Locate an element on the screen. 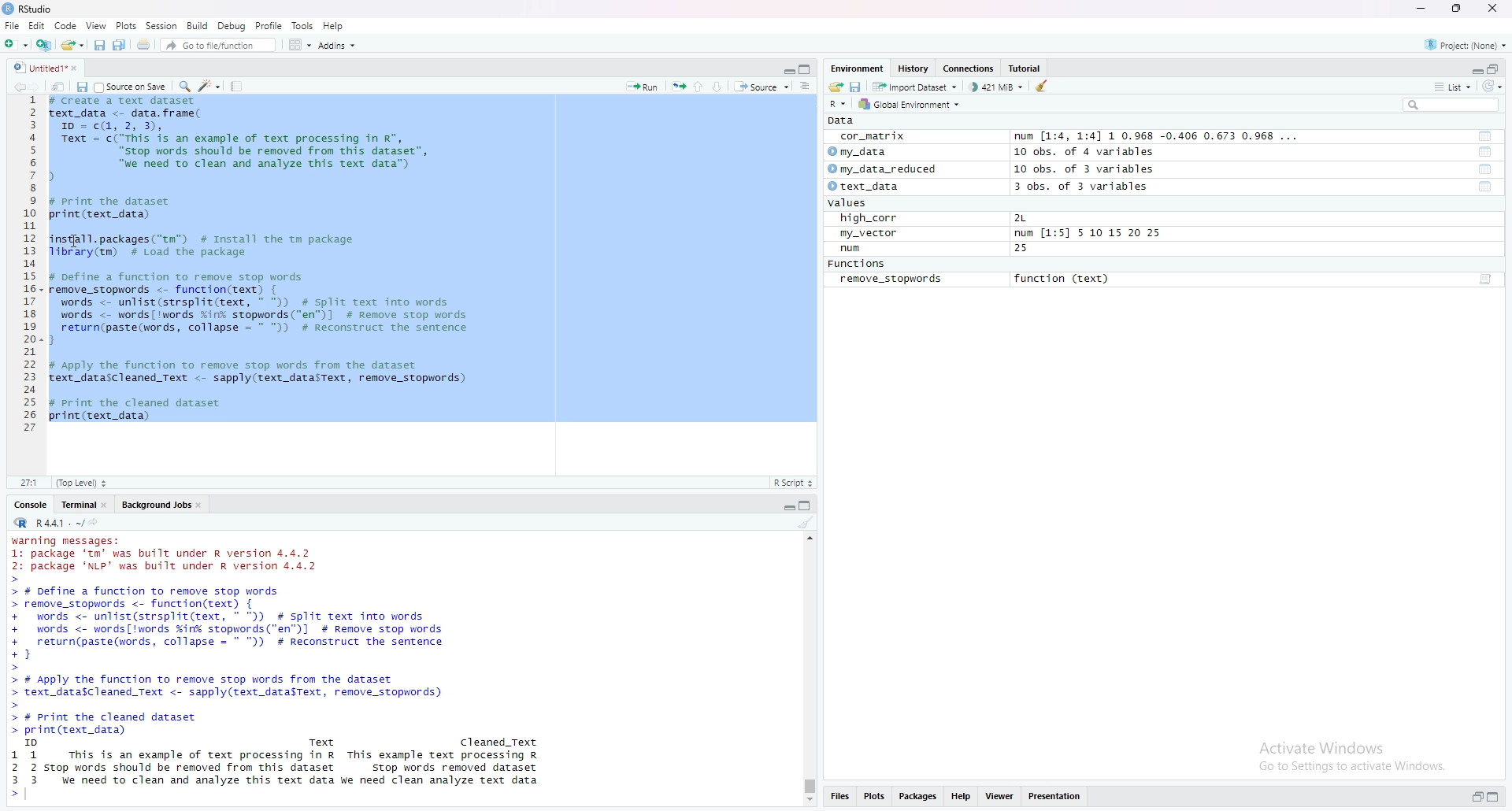 The height and width of the screenshot is (811, 1512). show in new window is located at coordinates (59, 87).